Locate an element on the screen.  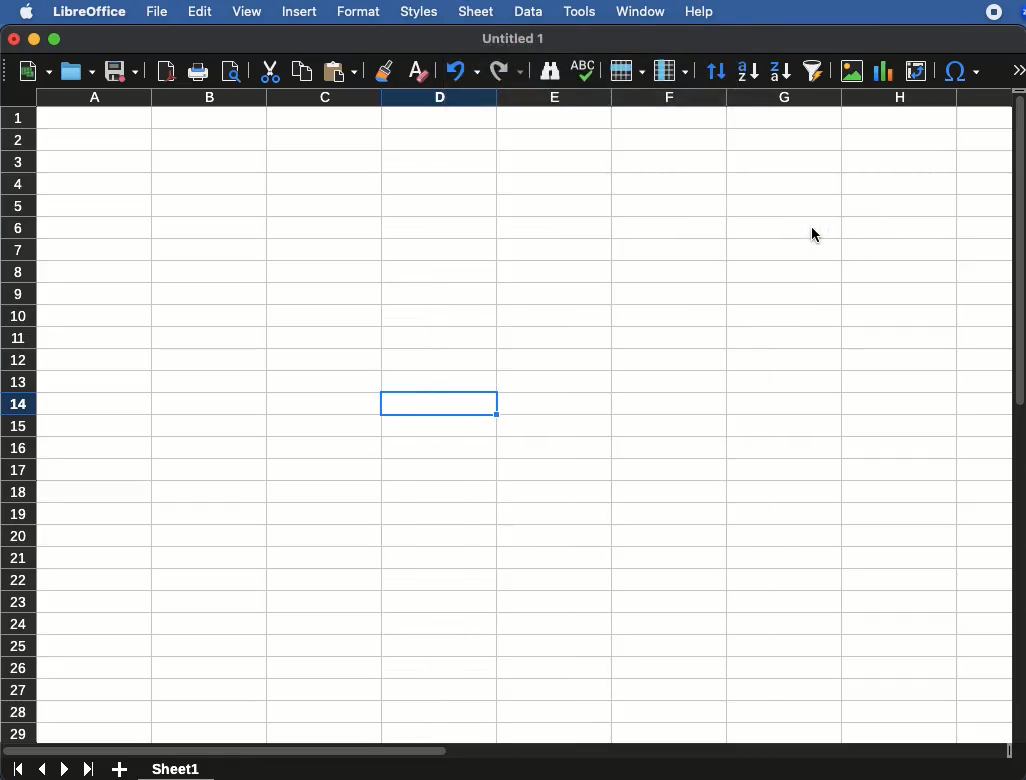
window is located at coordinates (639, 13).